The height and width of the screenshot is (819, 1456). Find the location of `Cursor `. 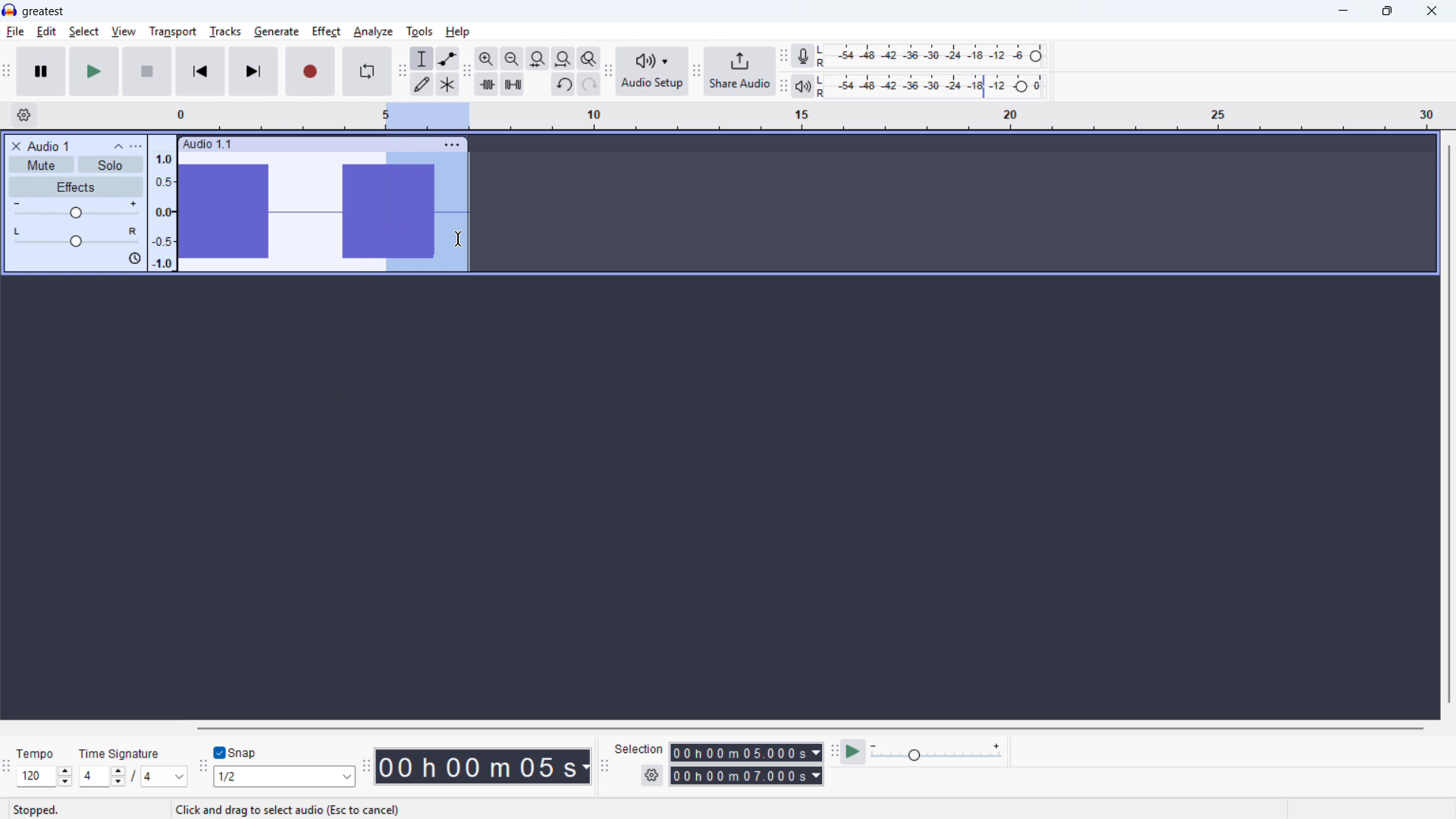

Cursor  is located at coordinates (458, 240).